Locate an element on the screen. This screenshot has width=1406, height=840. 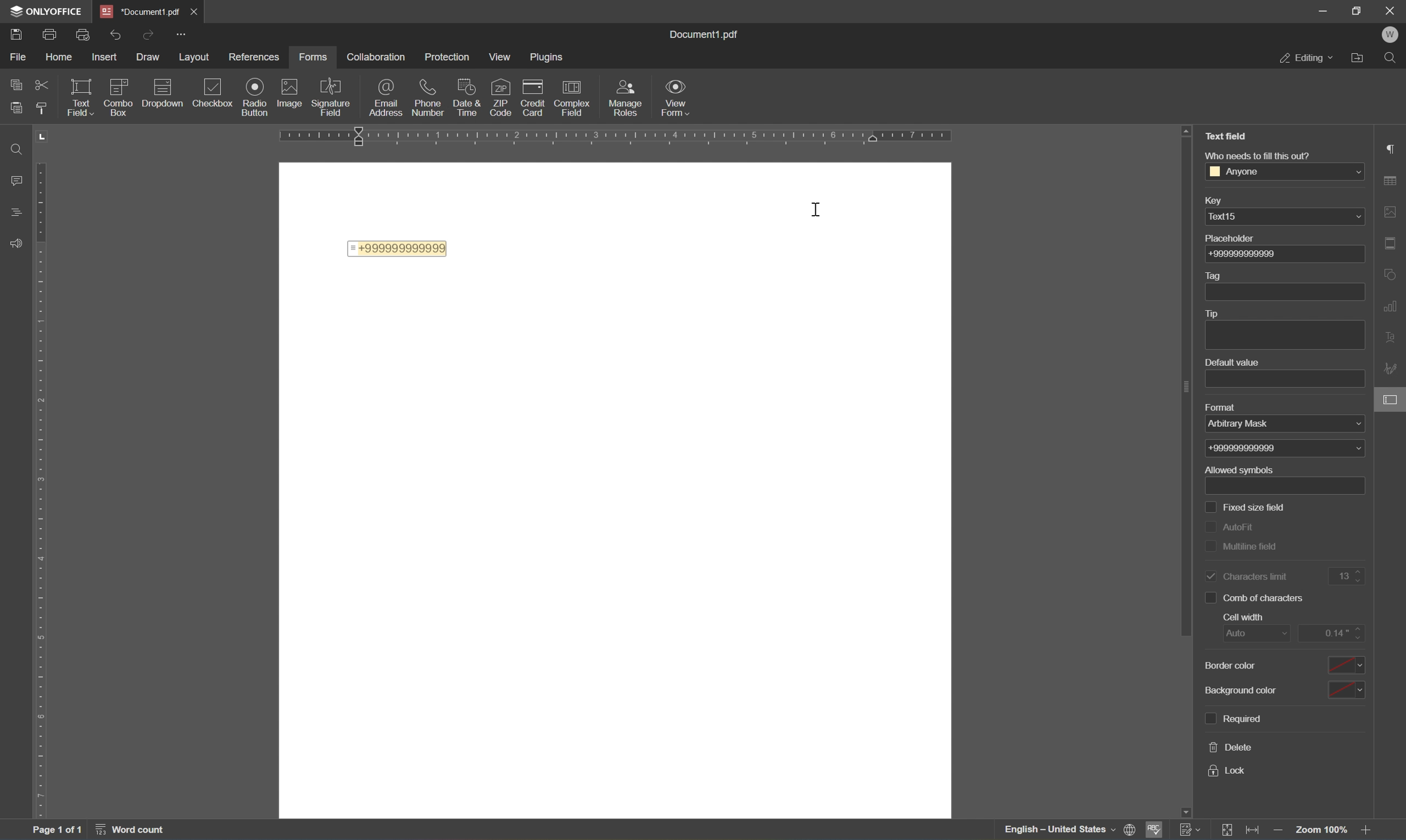
cell width is located at coordinates (1240, 618).